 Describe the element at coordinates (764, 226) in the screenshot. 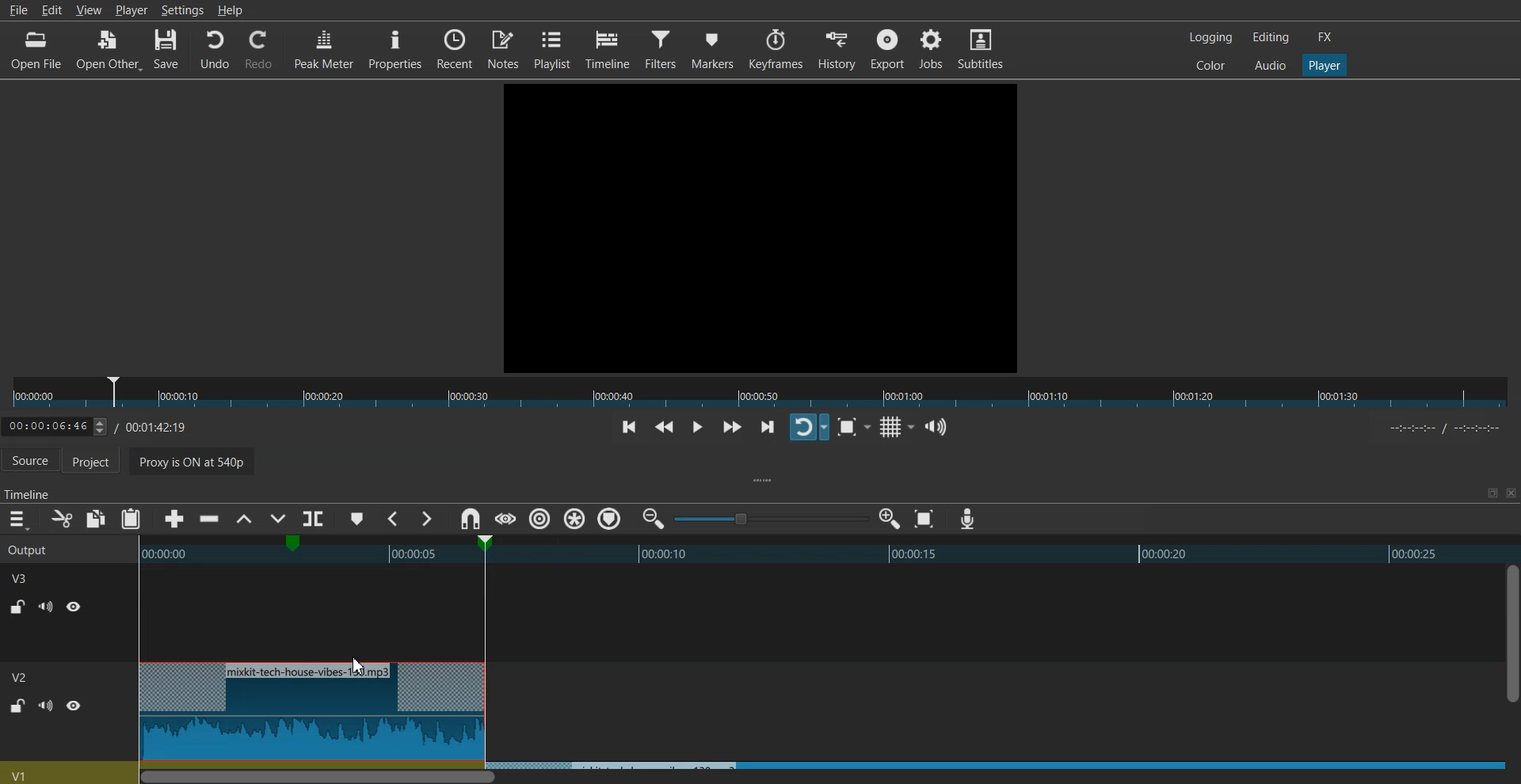

I see `File Preview window` at that location.